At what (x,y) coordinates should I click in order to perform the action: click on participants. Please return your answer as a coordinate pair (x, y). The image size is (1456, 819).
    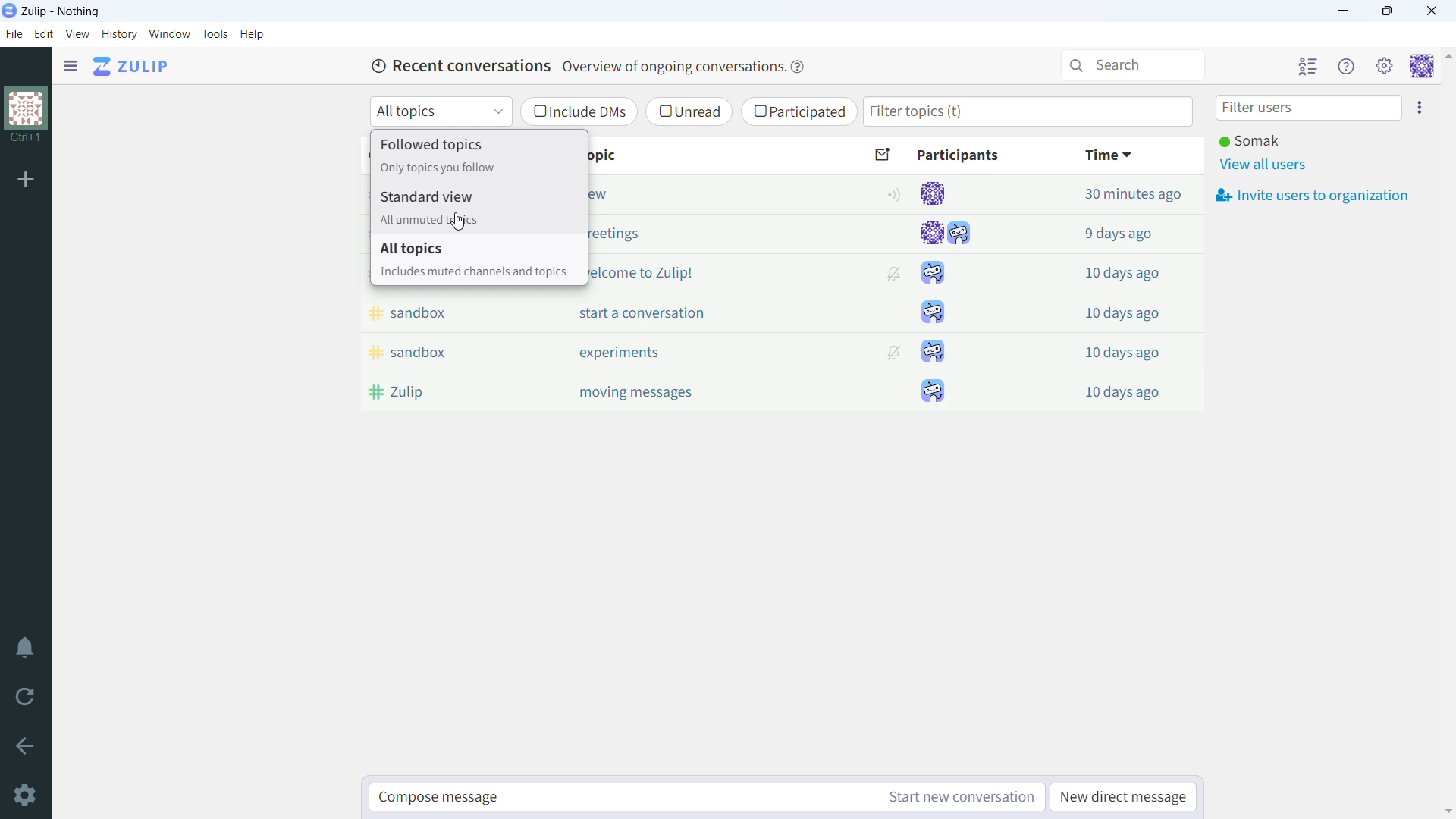
    Looking at the image, I should click on (946, 293).